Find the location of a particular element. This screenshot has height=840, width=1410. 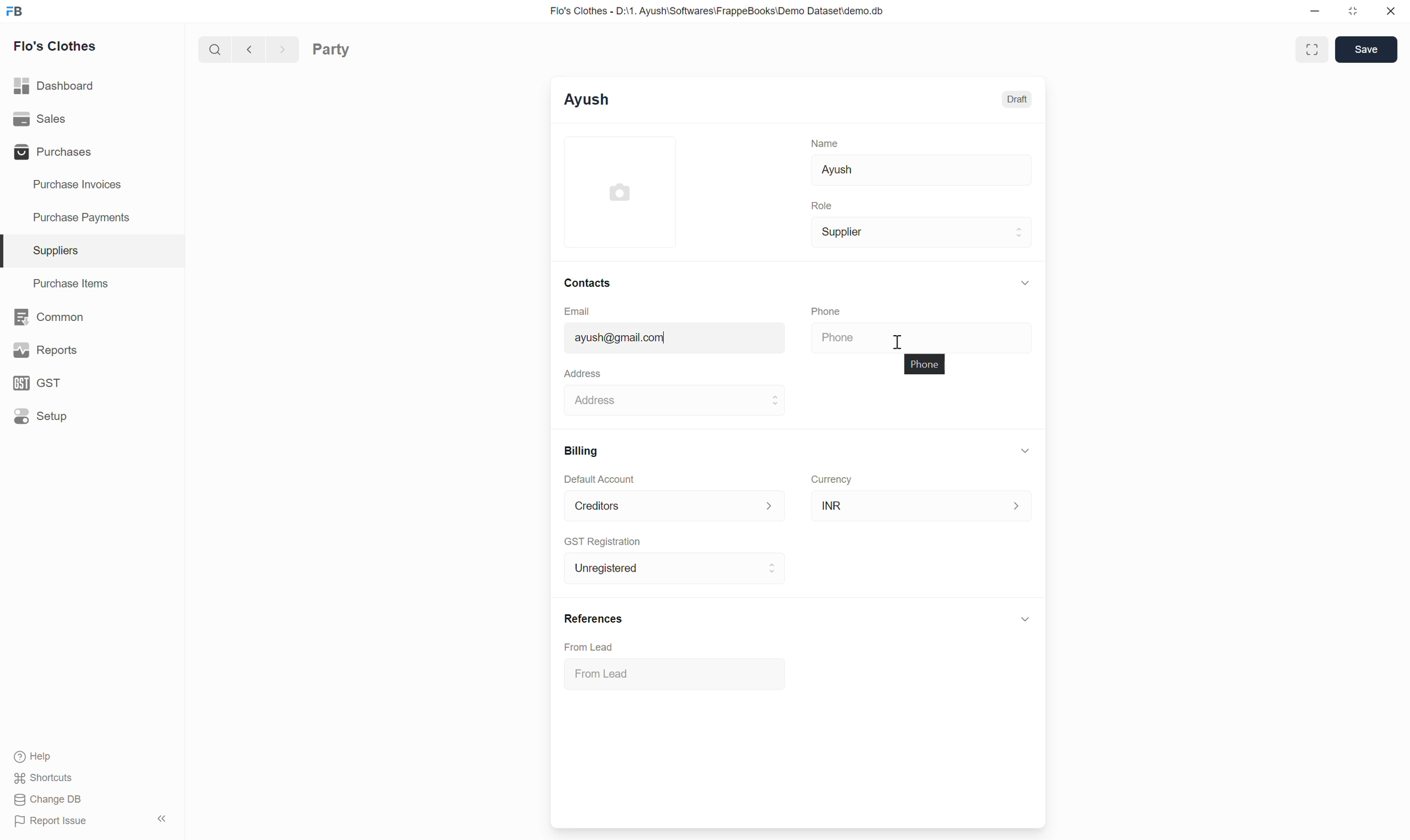

Minimize is located at coordinates (1315, 11).